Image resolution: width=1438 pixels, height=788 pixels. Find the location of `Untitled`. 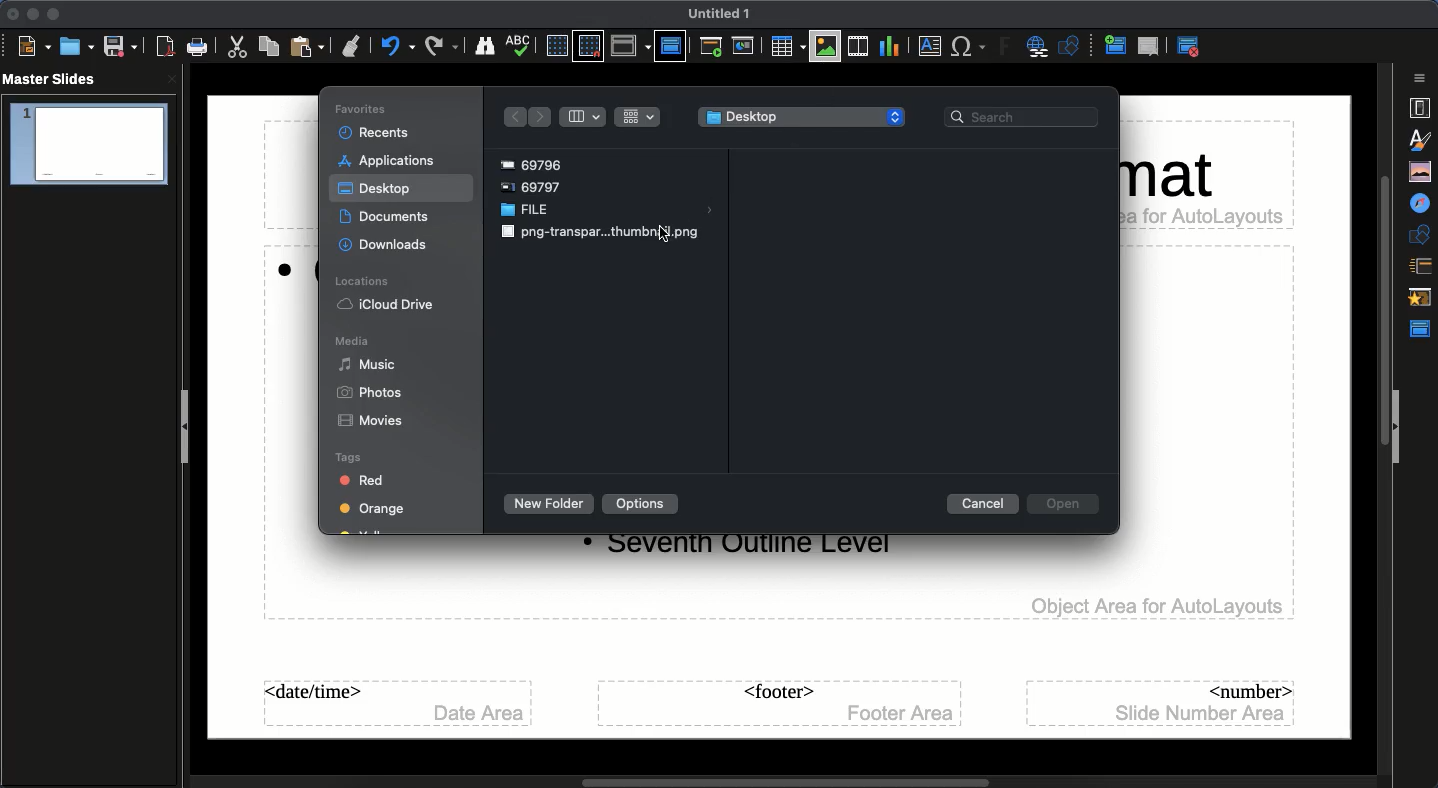

Untitled is located at coordinates (720, 14).